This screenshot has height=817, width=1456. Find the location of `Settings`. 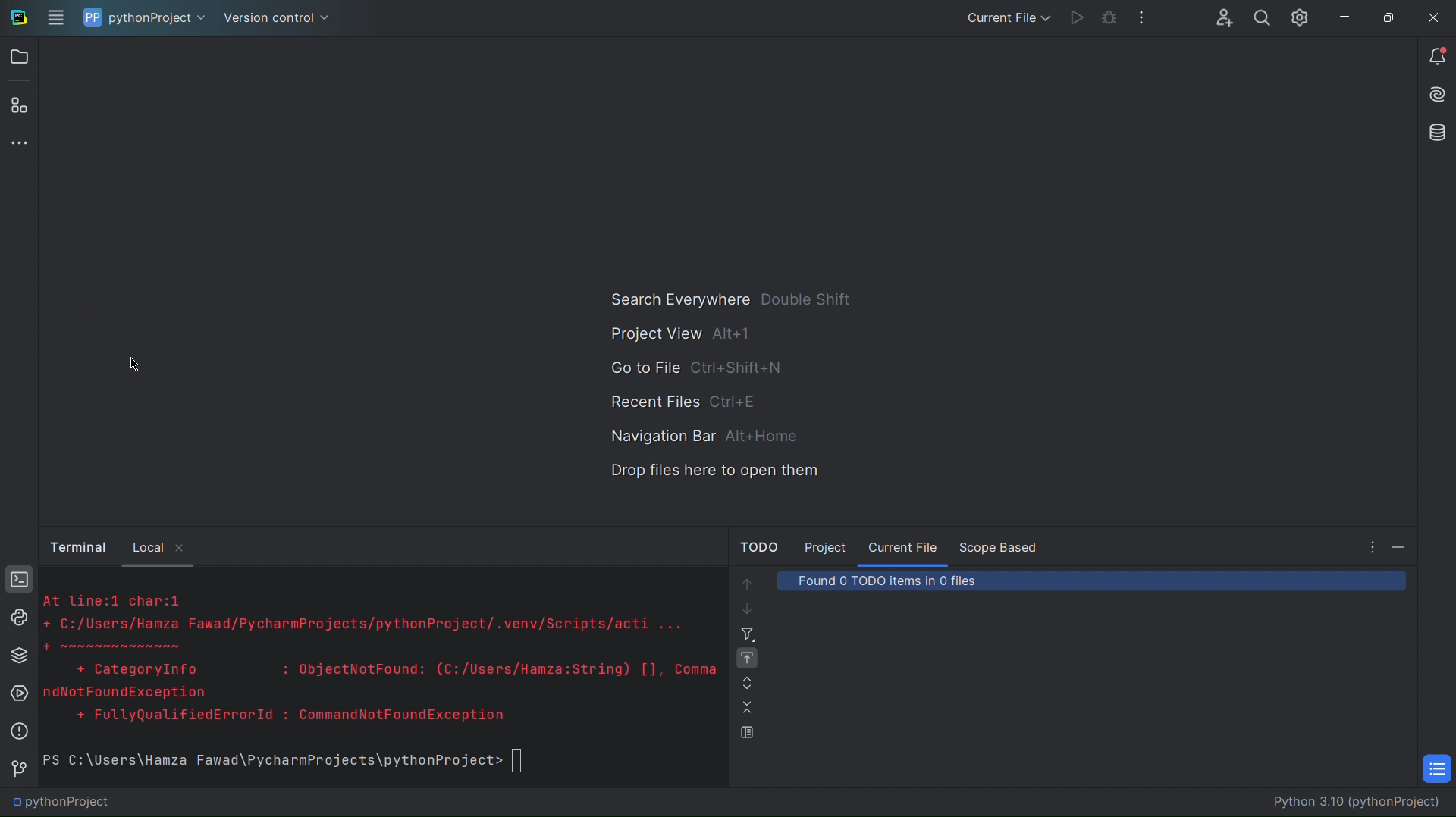

Settings is located at coordinates (1301, 17).